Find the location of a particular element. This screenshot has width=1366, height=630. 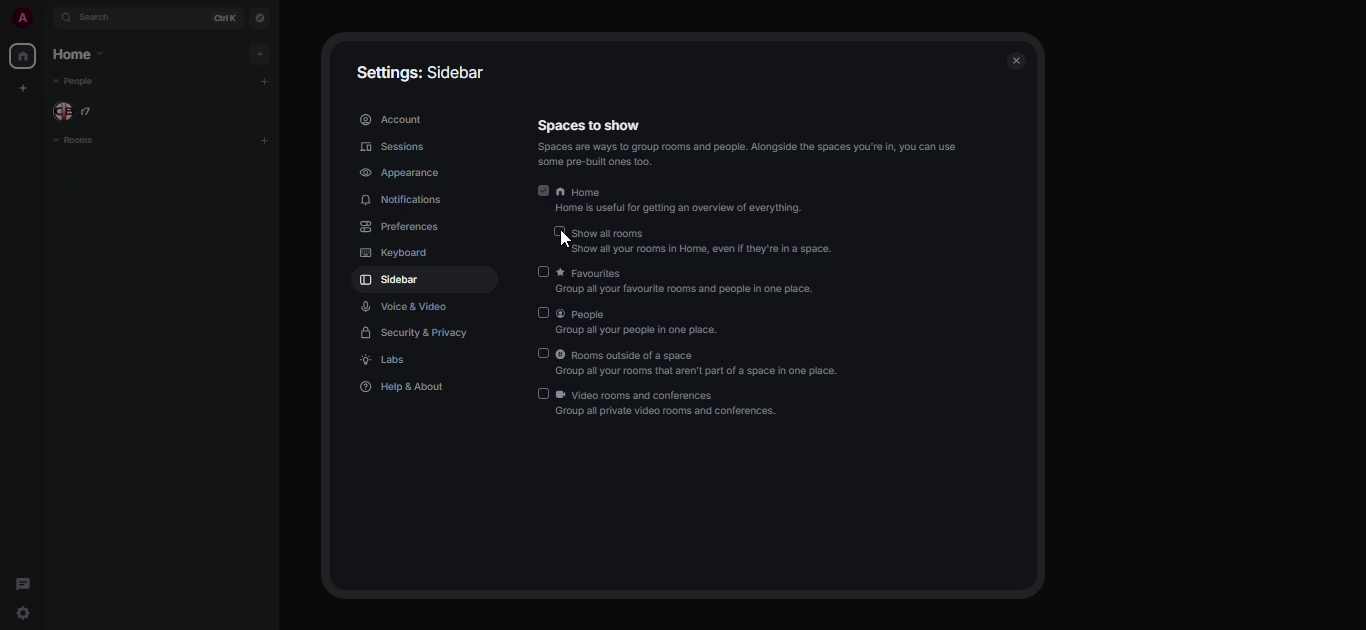

cursor is located at coordinates (556, 240).